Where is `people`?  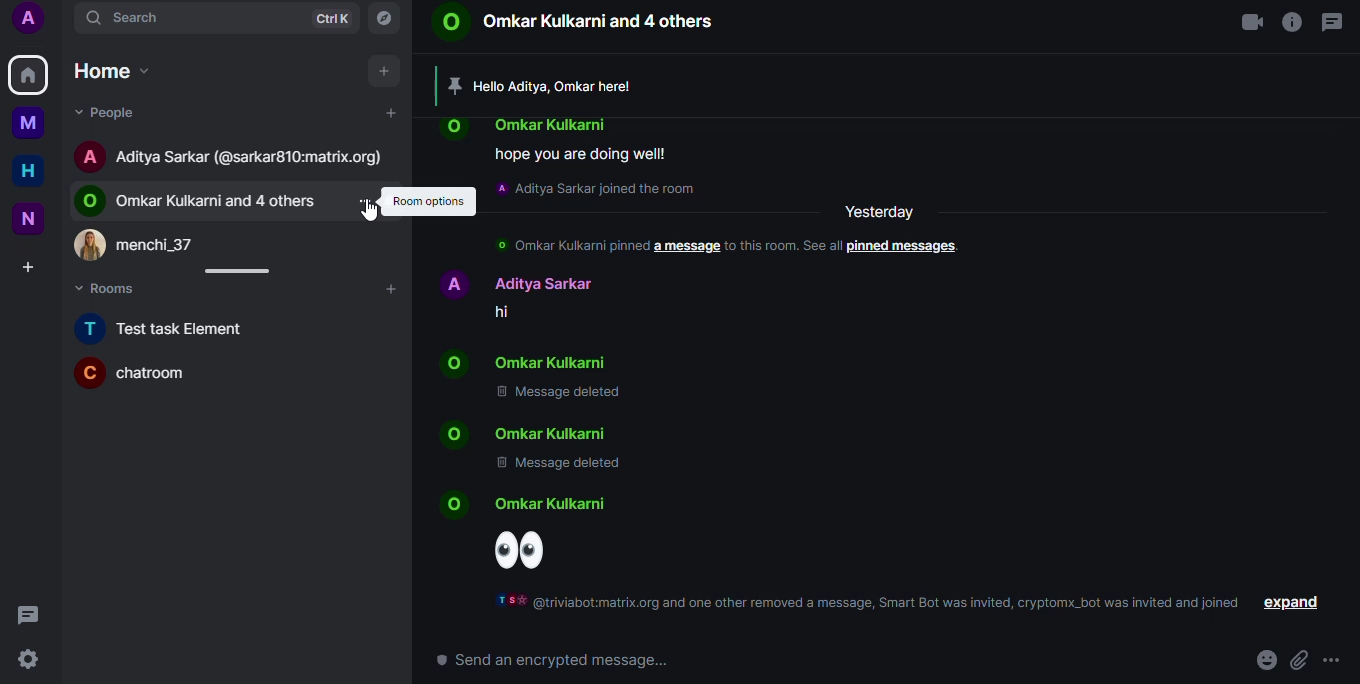
people is located at coordinates (107, 113).